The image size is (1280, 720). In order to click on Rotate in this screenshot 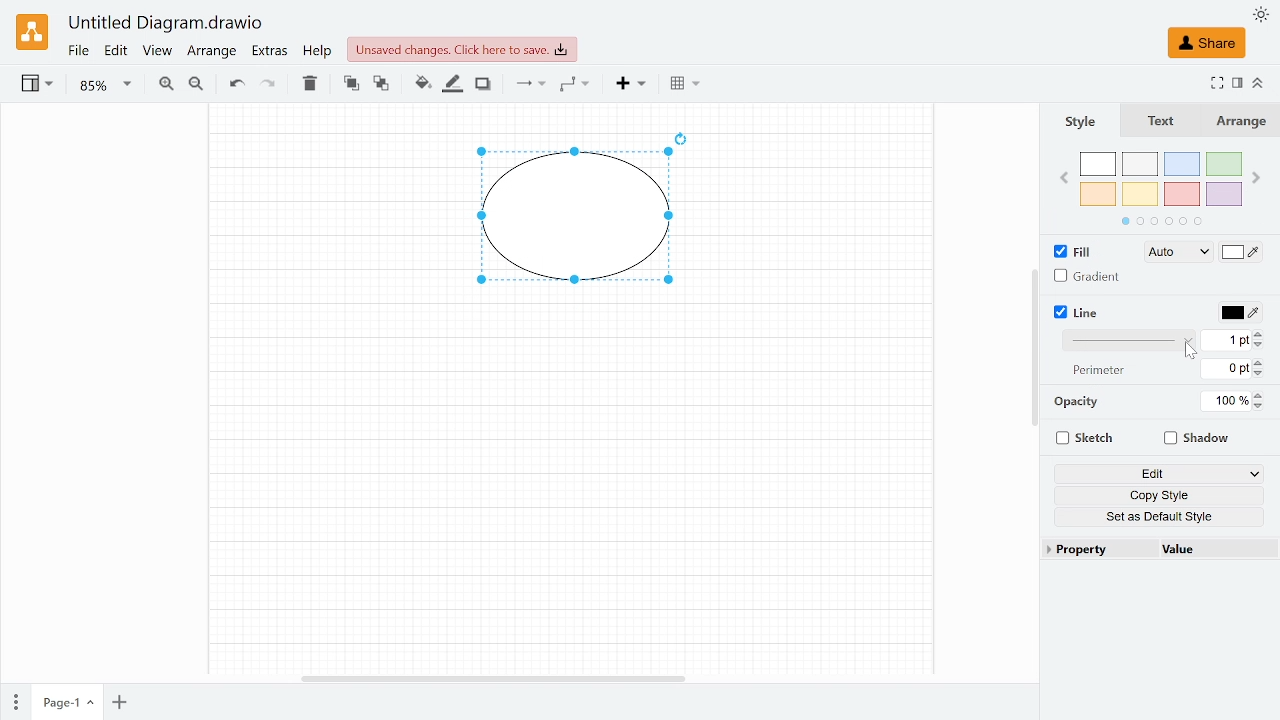, I will do `click(687, 136)`.